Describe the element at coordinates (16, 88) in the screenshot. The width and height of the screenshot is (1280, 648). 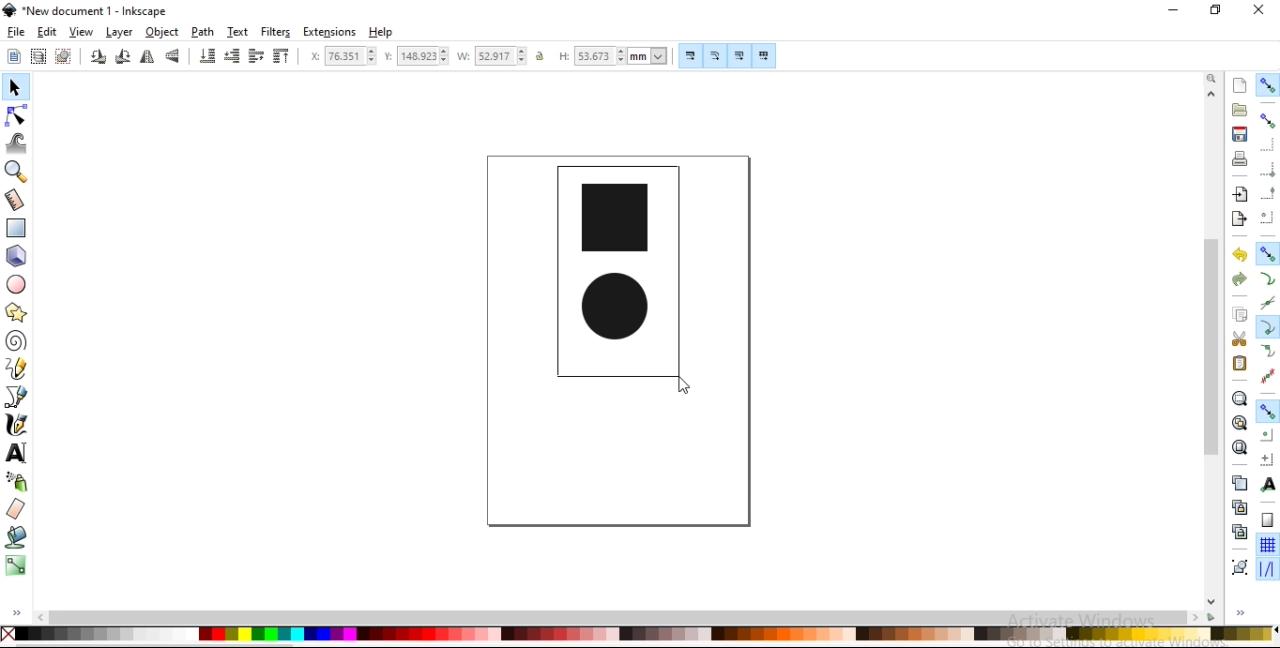
I see `select and transform objects` at that location.